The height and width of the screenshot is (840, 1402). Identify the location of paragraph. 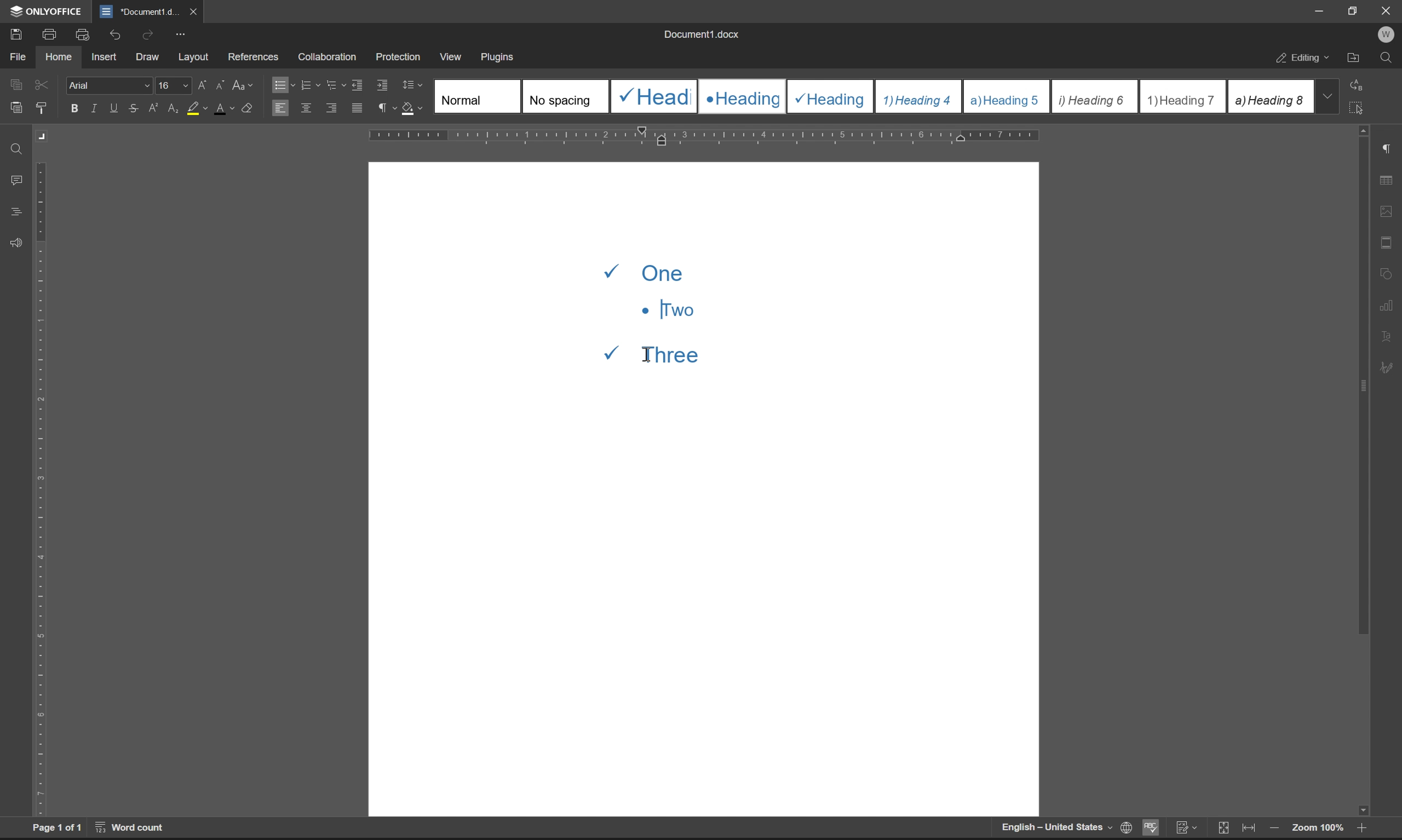
(385, 108).